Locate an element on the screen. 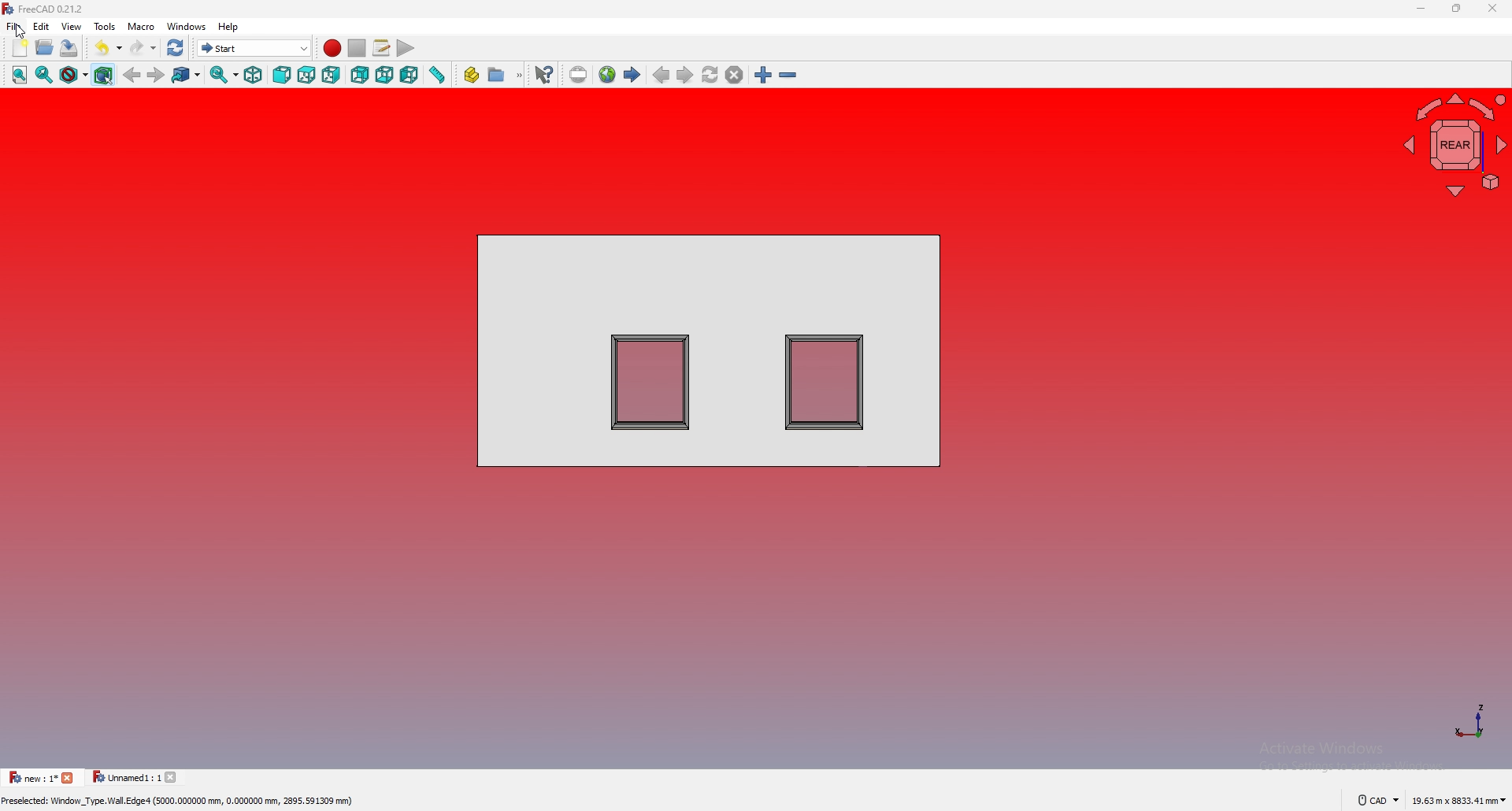  back is located at coordinates (132, 76).